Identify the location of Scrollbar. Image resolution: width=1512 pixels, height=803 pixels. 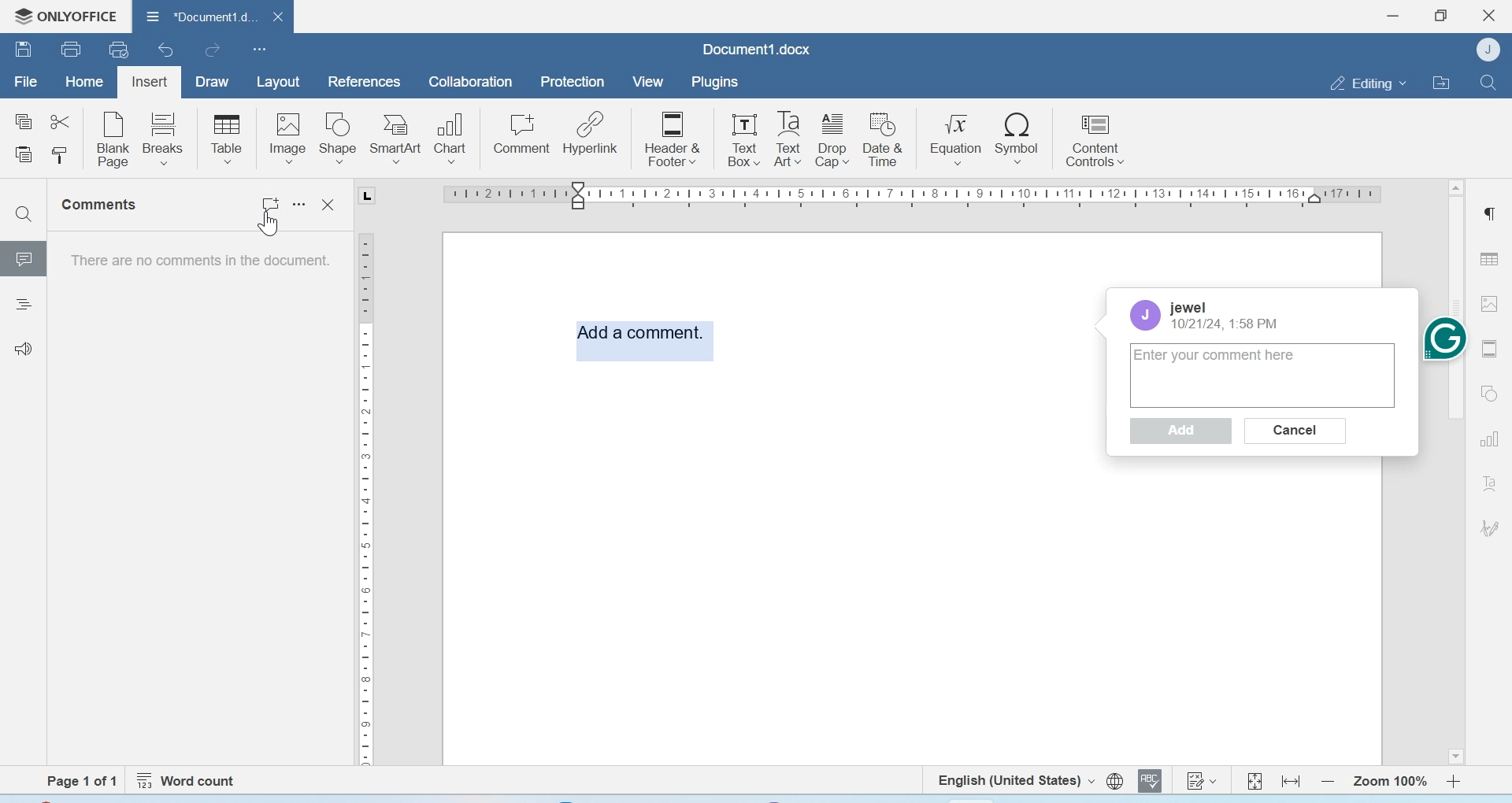
(1455, 568).